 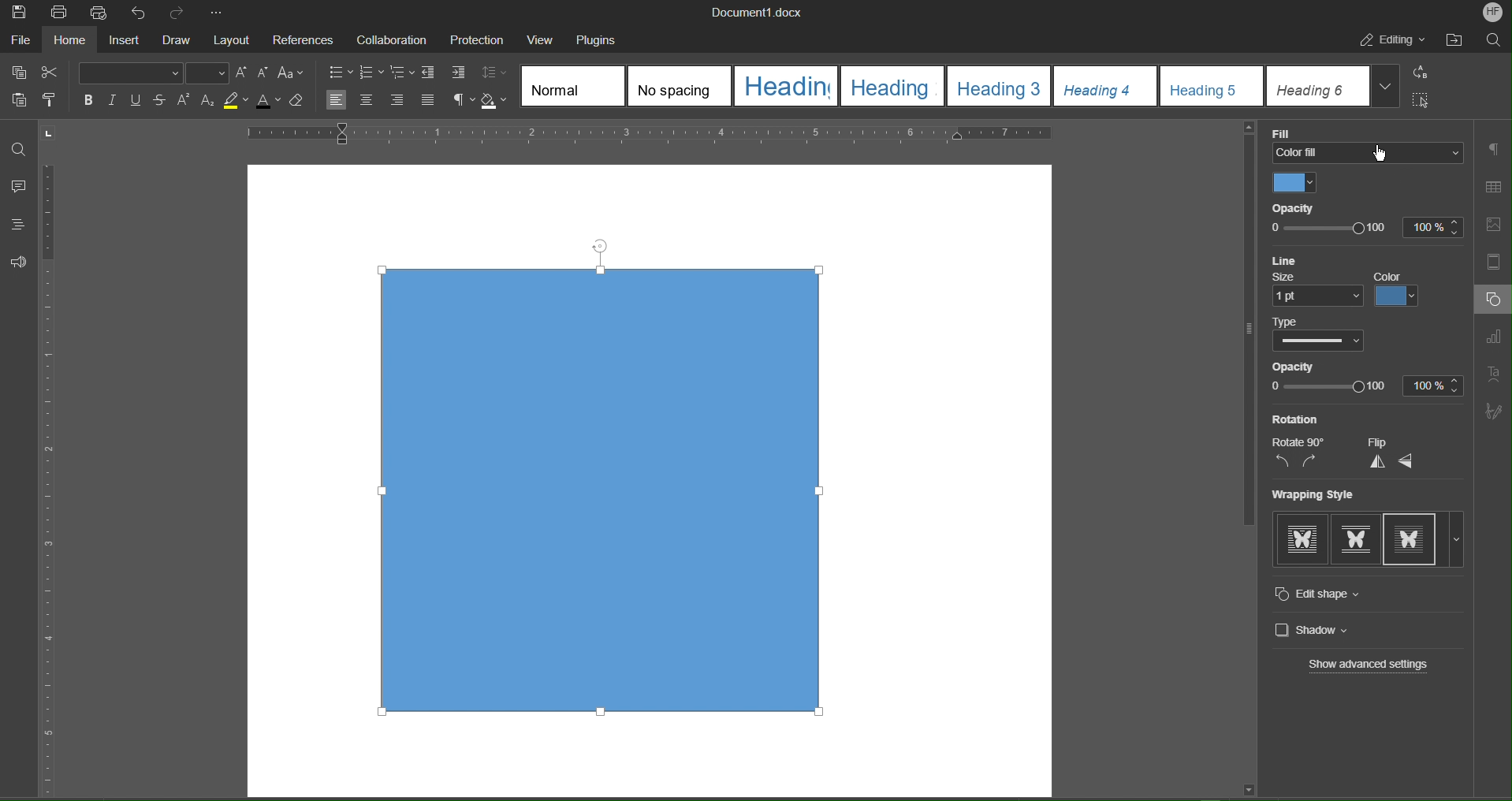 I want to click on Shift font case, so click(x=292, y=73).